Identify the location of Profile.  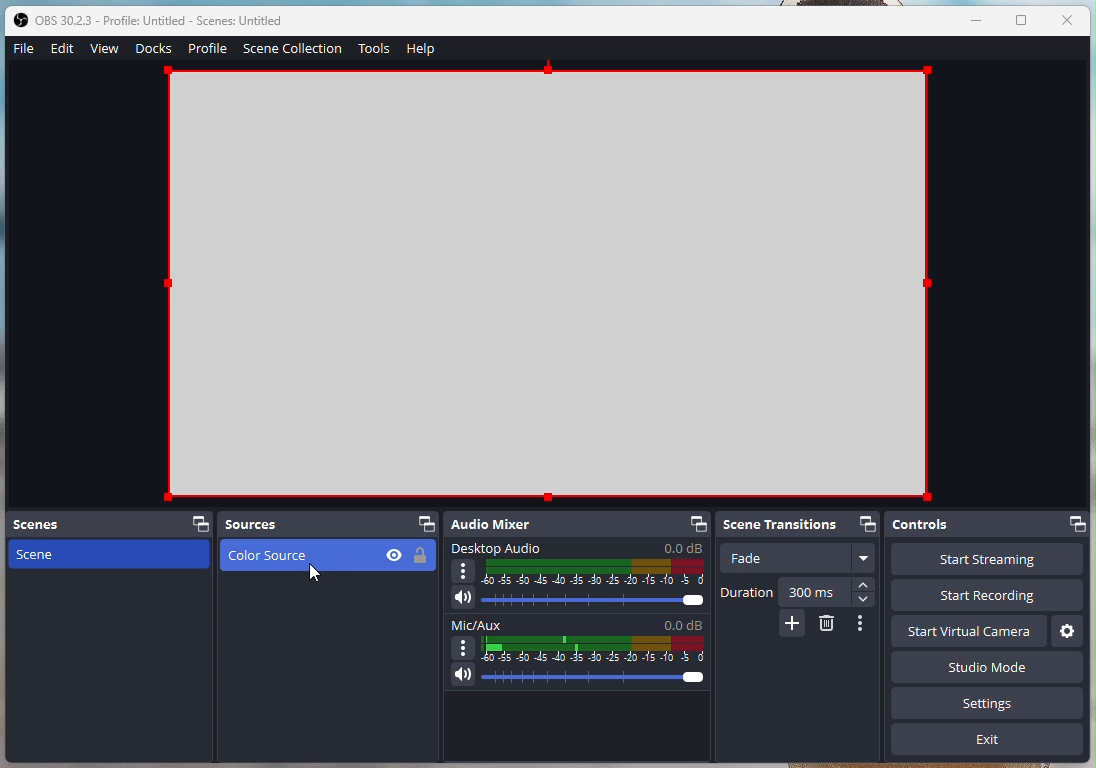
(207, 48).